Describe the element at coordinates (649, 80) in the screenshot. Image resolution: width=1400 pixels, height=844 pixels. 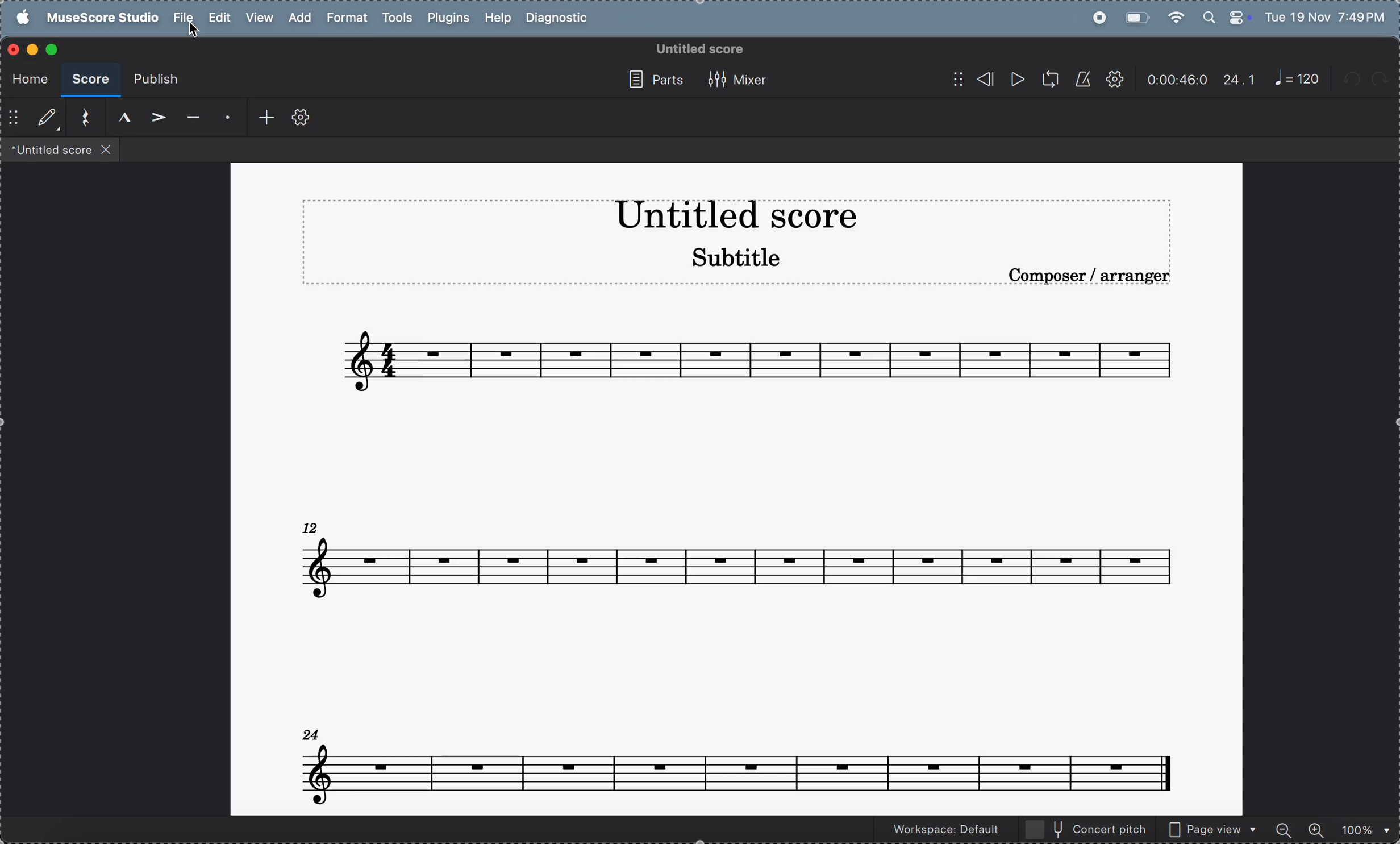
I see `parts` at that location.